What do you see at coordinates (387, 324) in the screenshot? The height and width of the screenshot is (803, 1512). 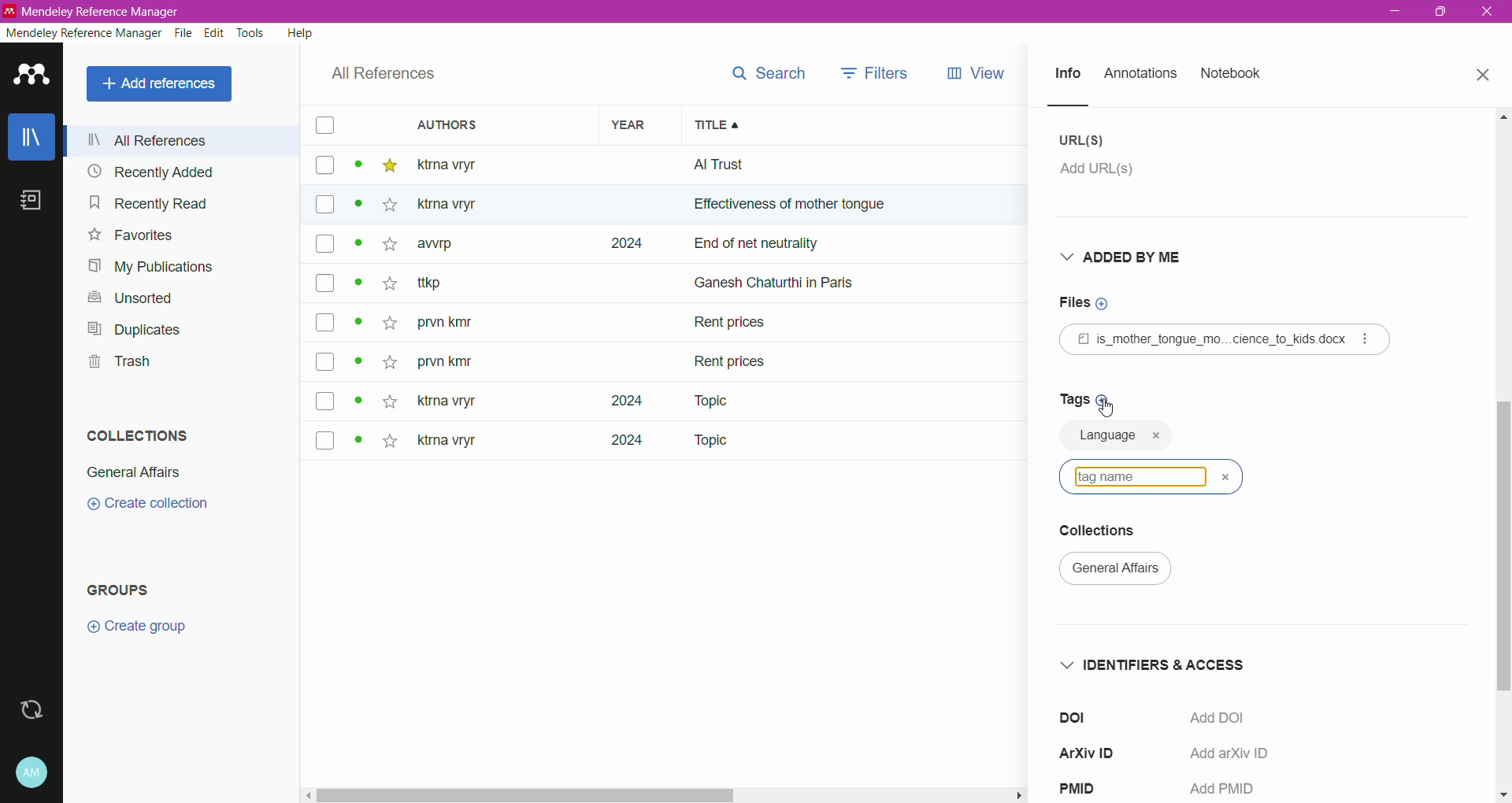 I see `star` at bounding box center [387, 324].